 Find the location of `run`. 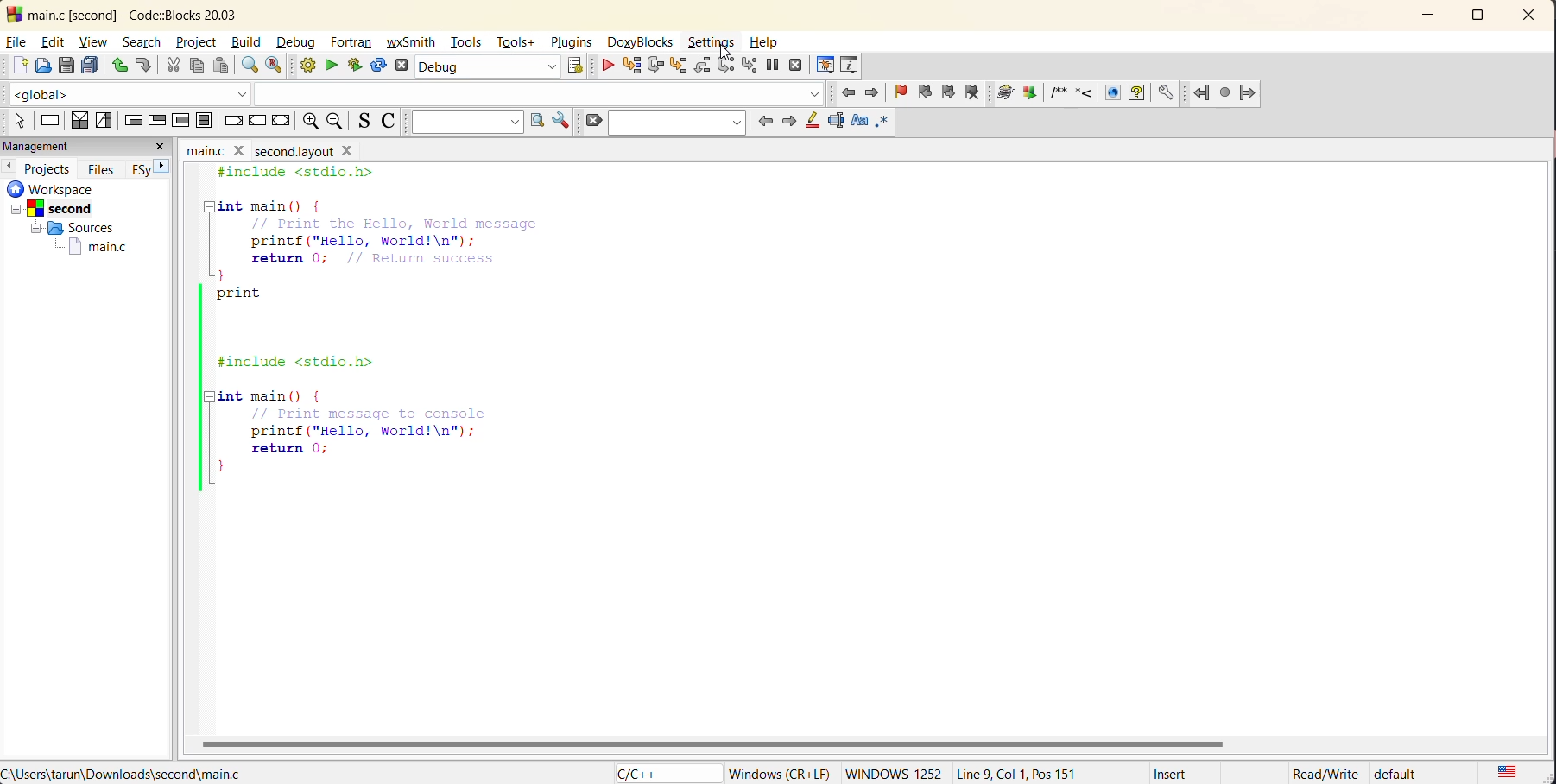

run is located at coordinates (331, 65).